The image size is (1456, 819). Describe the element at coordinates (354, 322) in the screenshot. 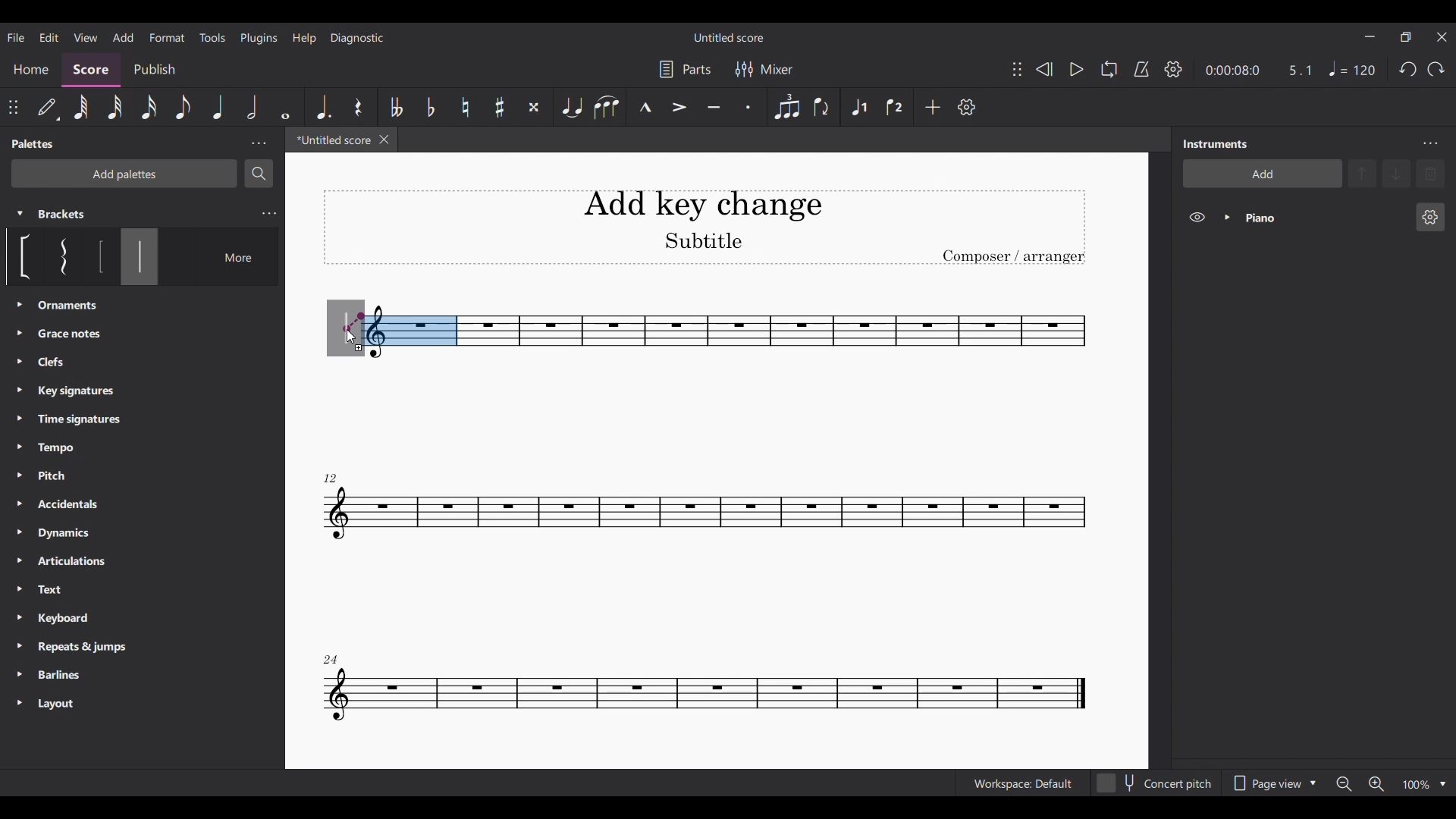

I see `Determining position of attachement` at that location.